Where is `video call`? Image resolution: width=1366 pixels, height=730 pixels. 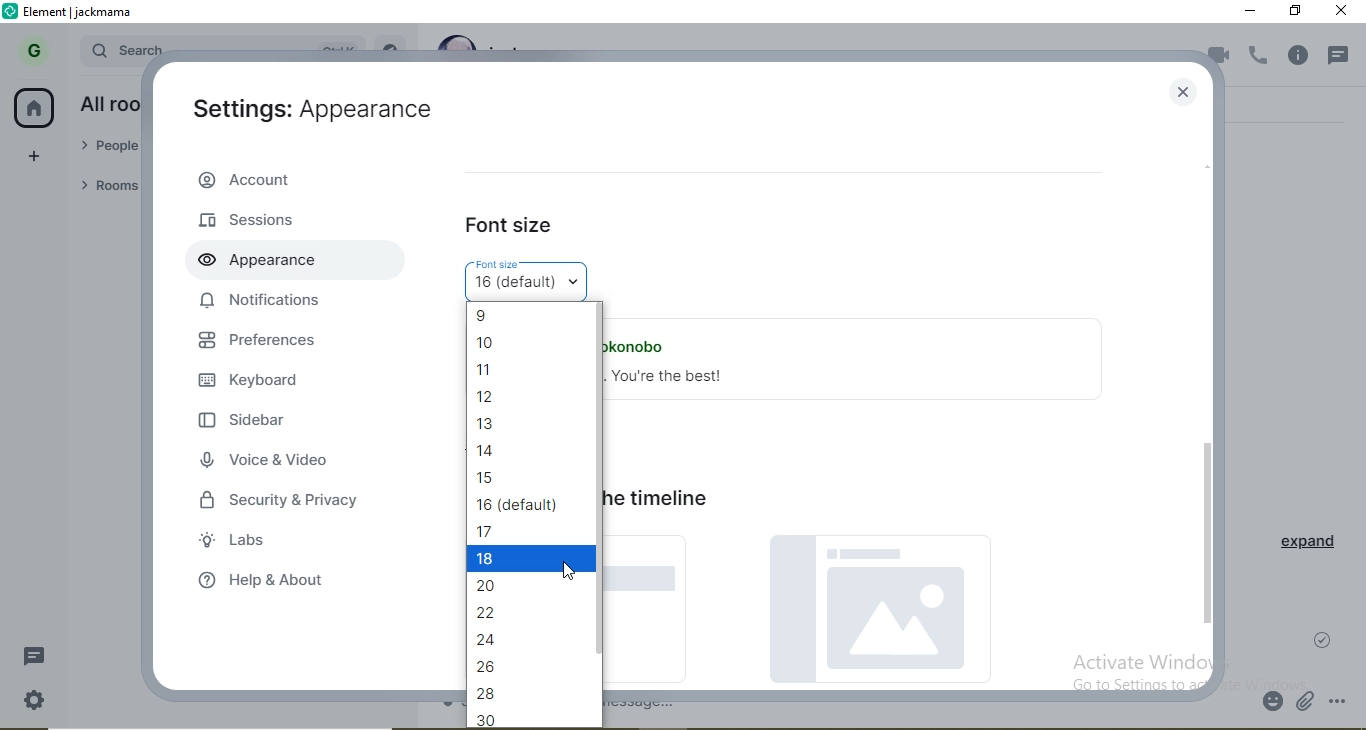 video call is located at coordinates (1217, 58).